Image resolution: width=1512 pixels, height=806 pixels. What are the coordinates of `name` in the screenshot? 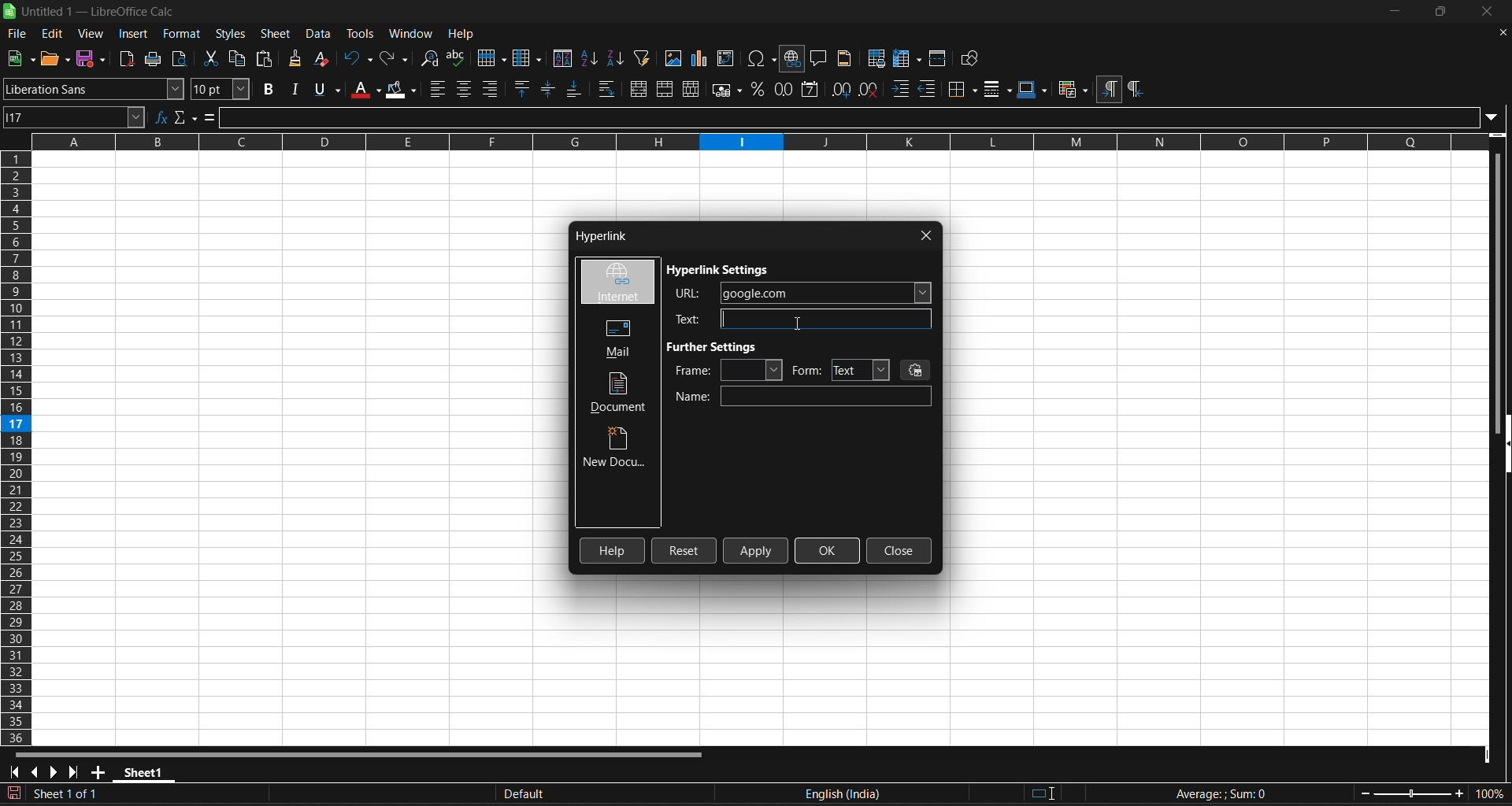 It's located at (803, 397).